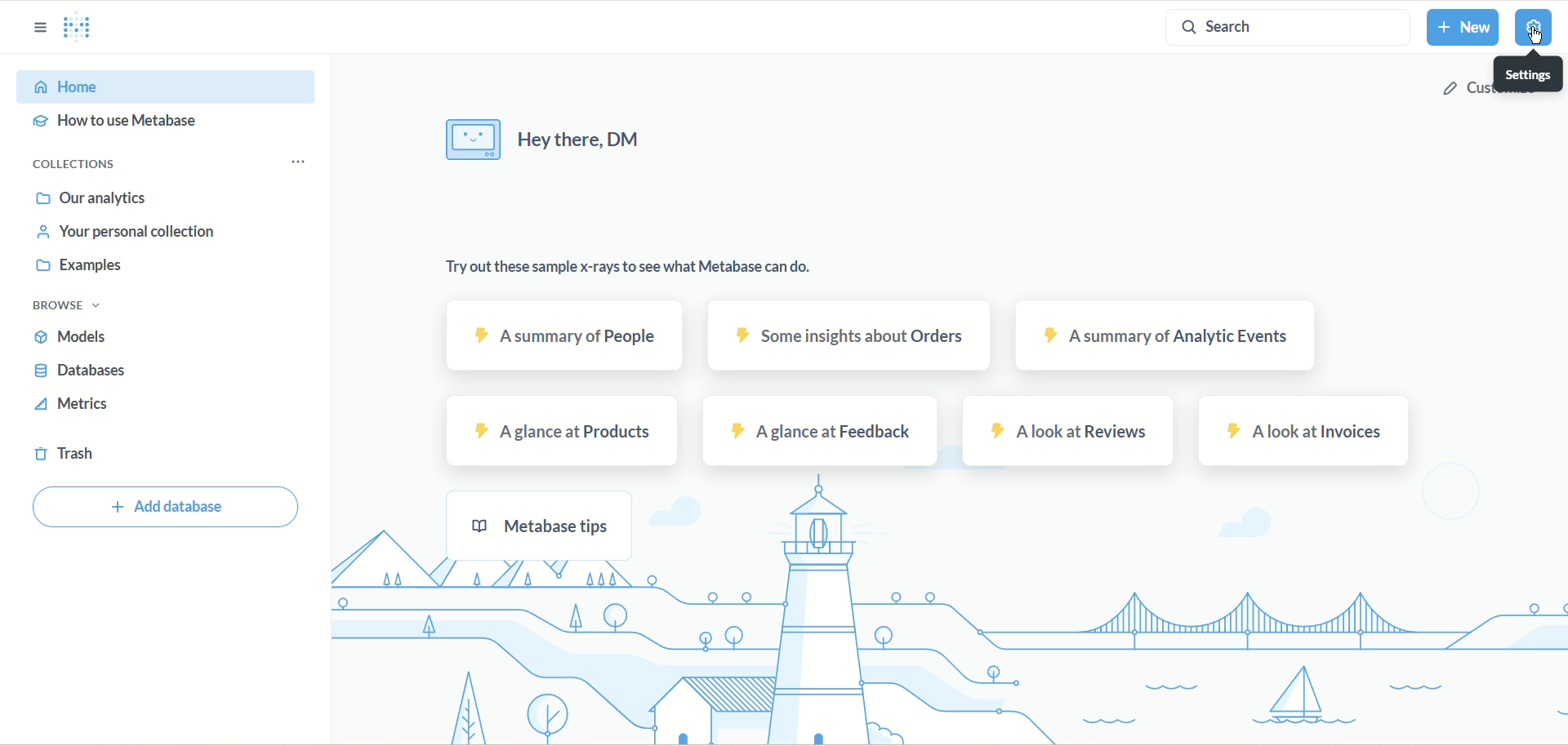 The image size is (1568, 746). I want to click on some insights about orders, so click(849, 337).